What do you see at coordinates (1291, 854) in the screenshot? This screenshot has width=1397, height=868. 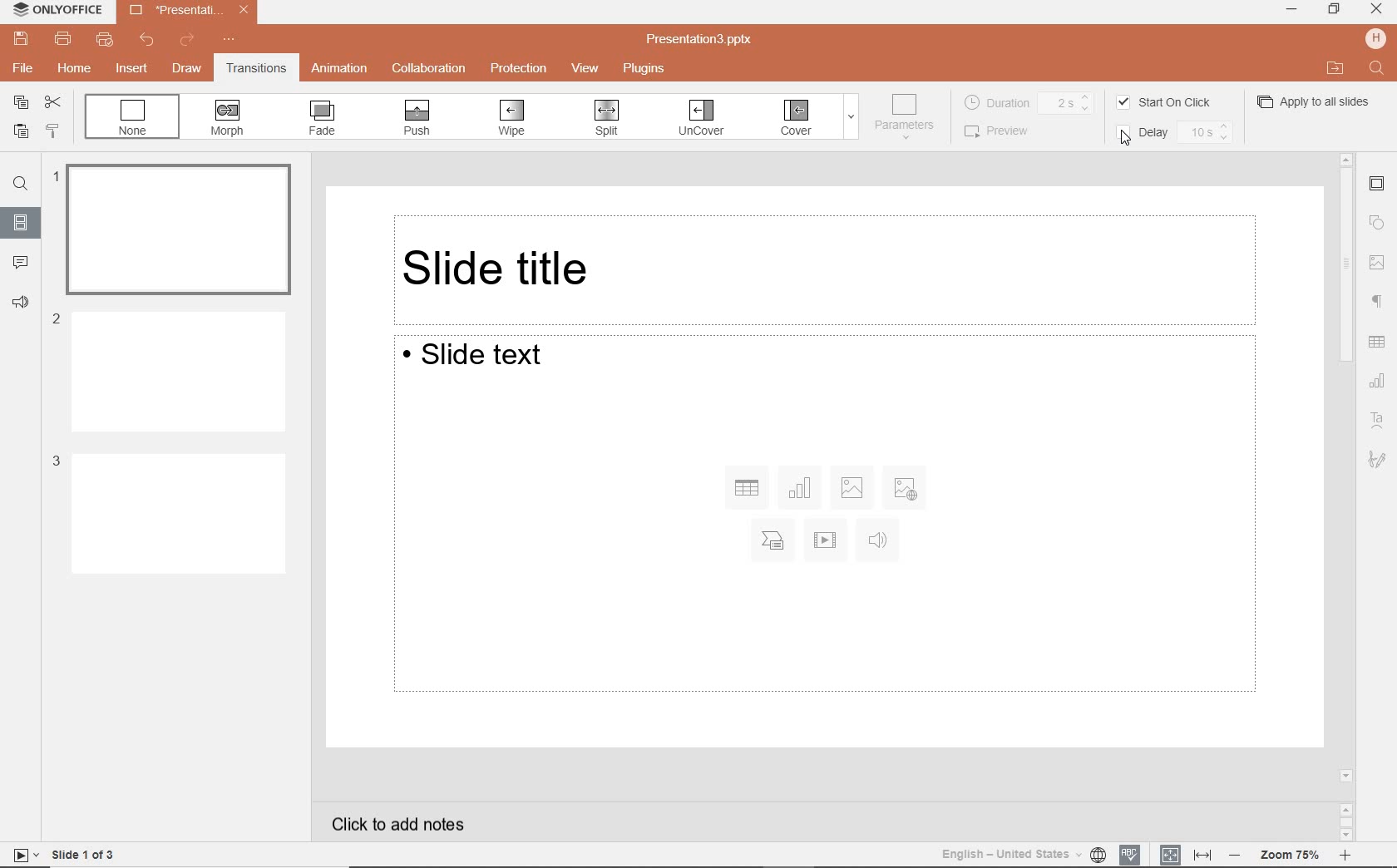 I see `zoom` at bounding box center [1291, 854].